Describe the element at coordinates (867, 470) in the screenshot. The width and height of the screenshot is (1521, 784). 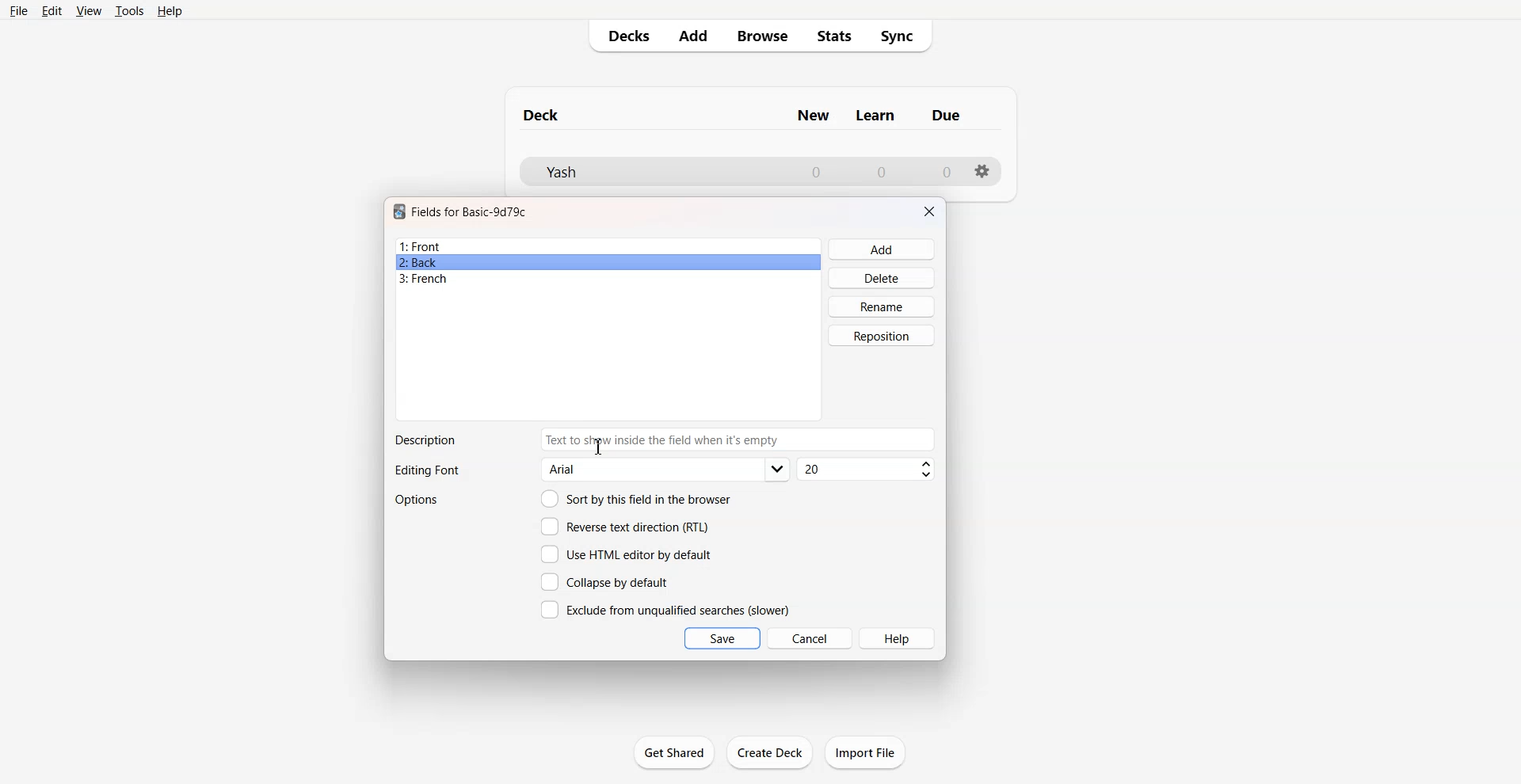
I see `Font size` at that location.